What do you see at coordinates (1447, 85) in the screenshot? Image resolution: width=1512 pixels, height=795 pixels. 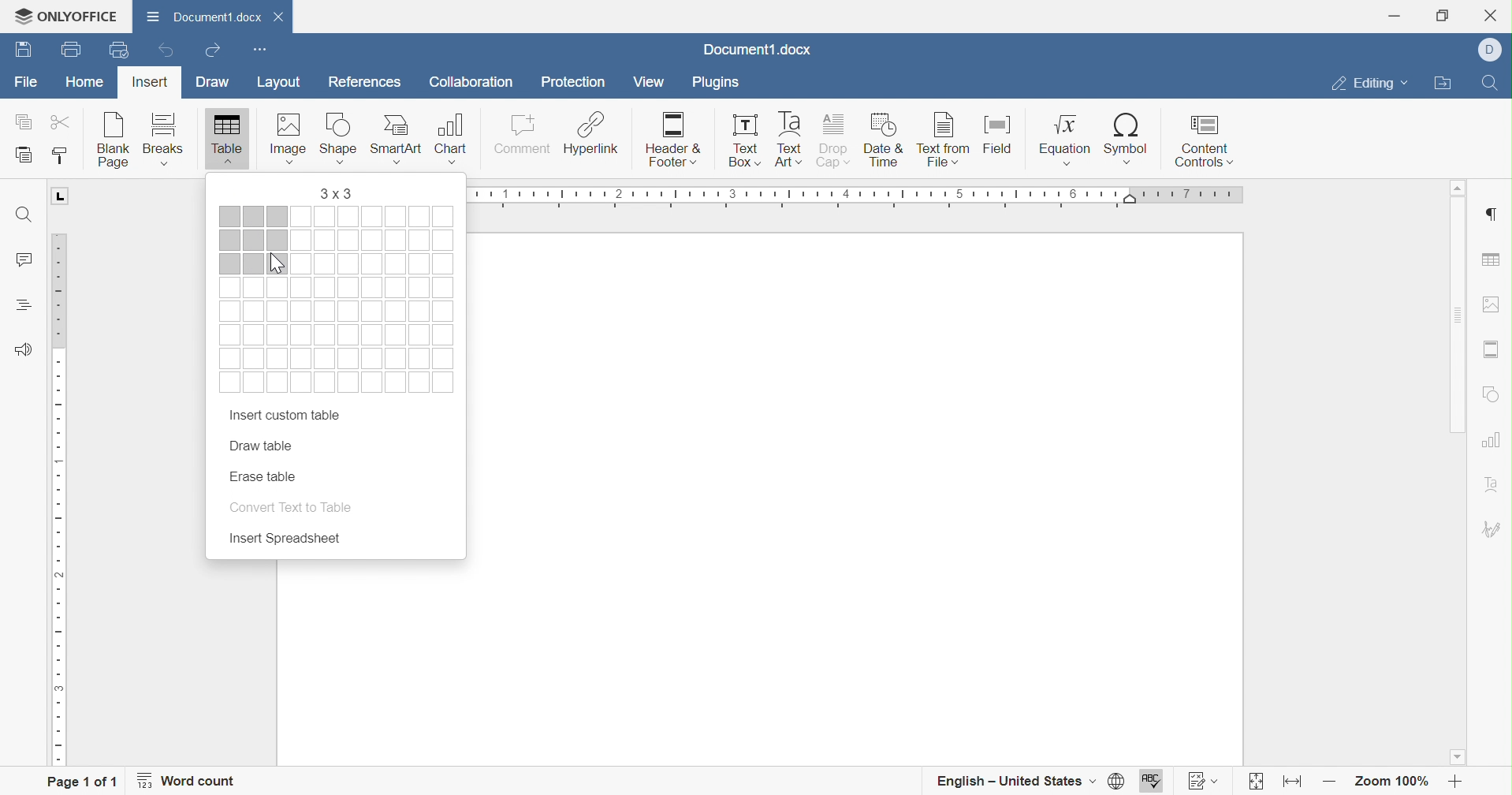 I see `Open file location` at bounding box center [1447, 85].